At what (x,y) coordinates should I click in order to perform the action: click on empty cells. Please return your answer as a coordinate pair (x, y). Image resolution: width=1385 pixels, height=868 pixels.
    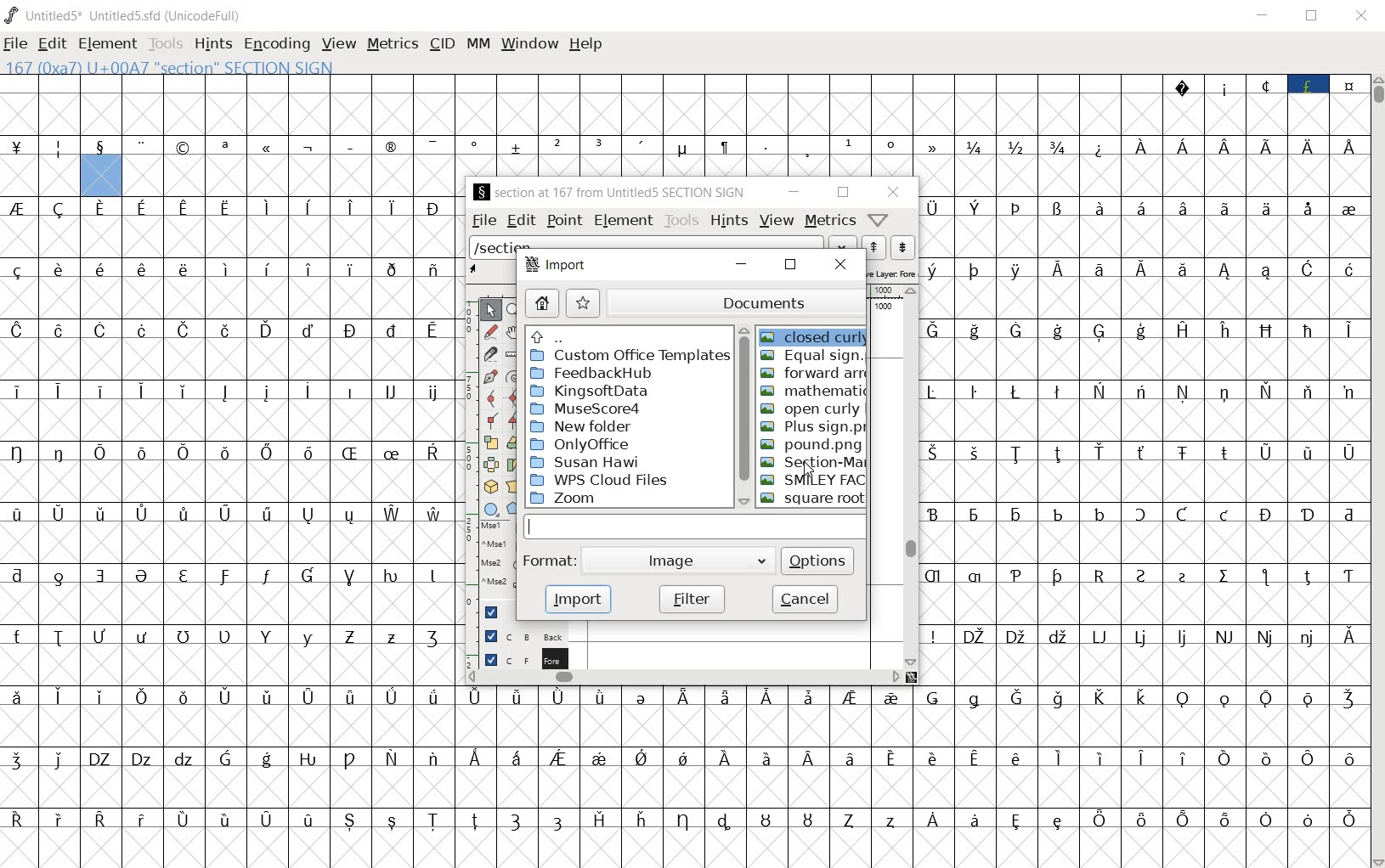
    Looking at the image, I should click on (683, 114).